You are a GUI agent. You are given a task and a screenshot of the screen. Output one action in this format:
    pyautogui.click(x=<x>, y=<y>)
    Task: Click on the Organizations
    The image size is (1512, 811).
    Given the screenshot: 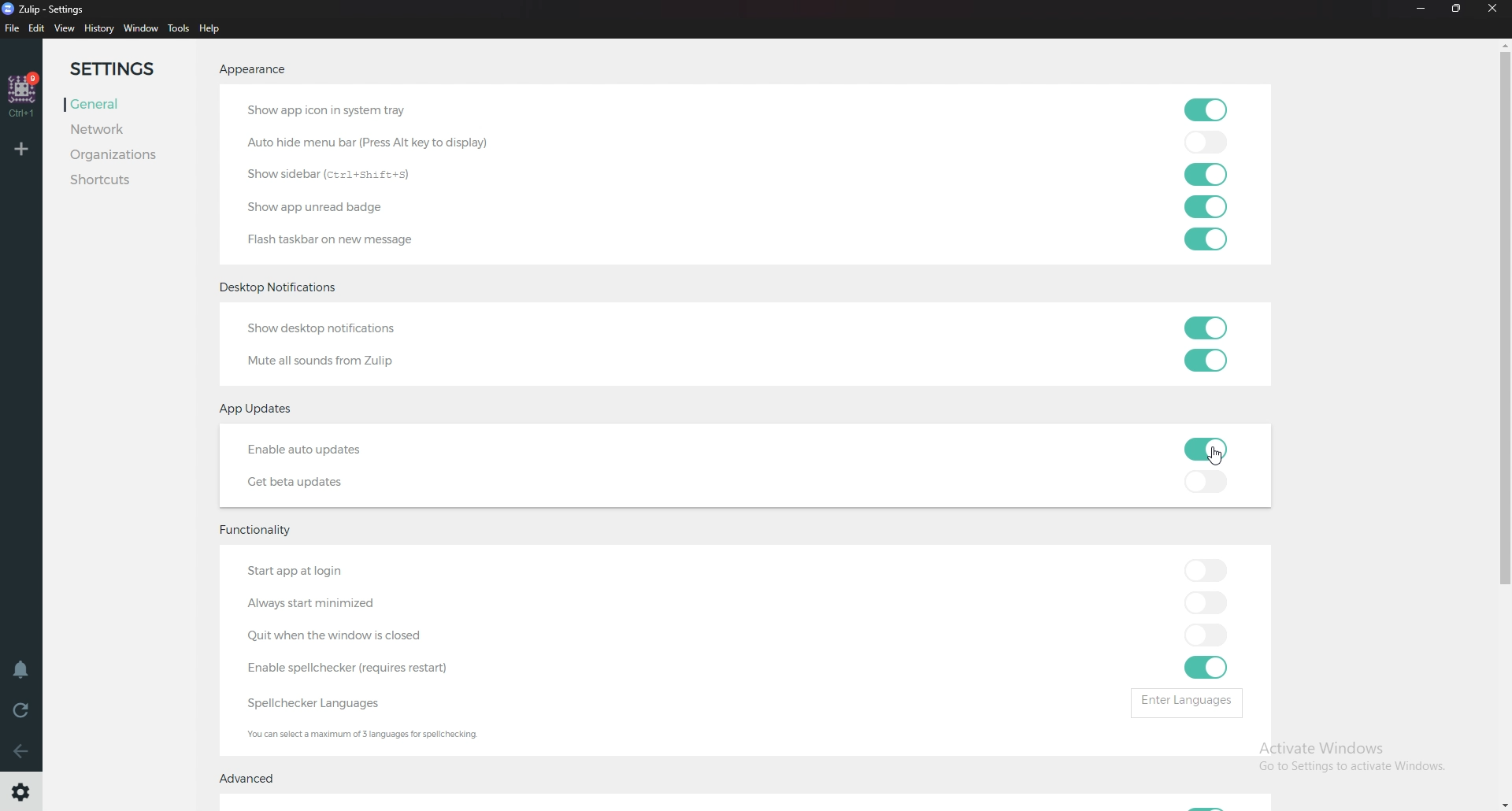 What is the action you would take?
    pyautogui.click(x=124, y=154)
    